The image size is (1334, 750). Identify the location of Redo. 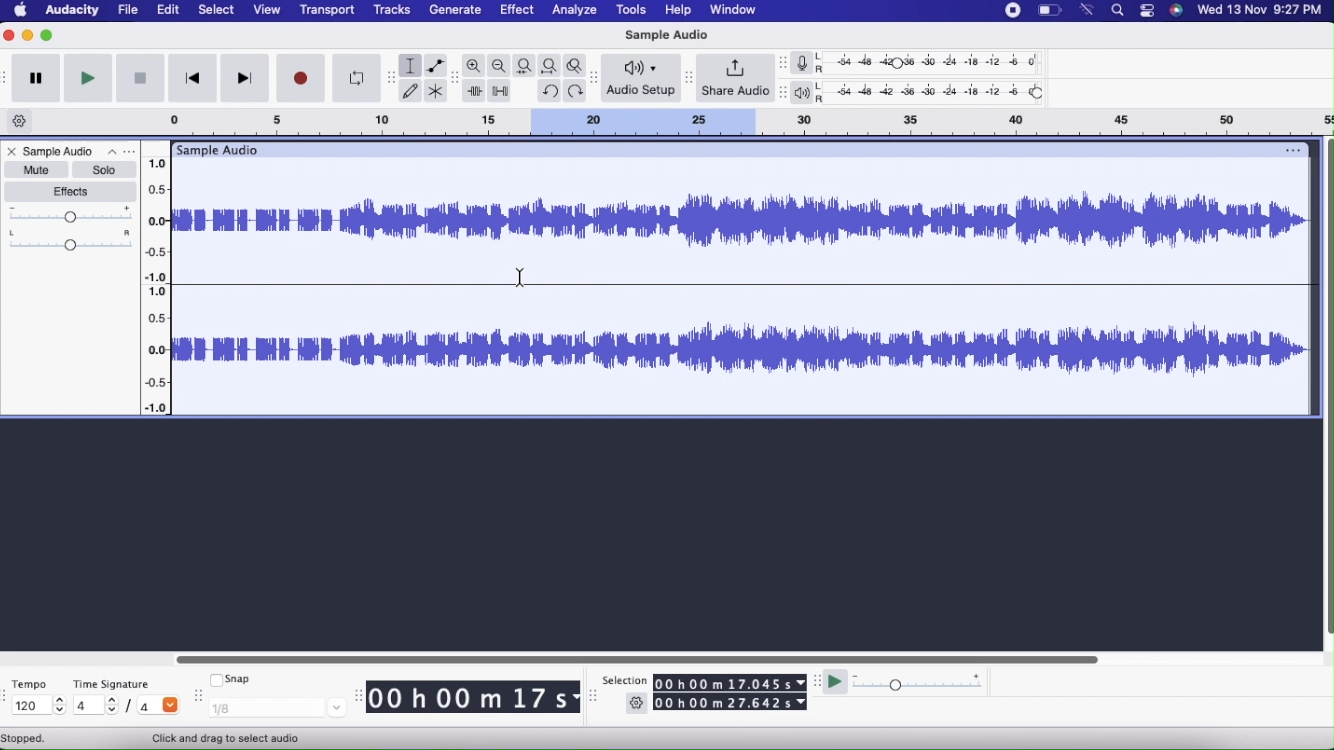
(578, 91).